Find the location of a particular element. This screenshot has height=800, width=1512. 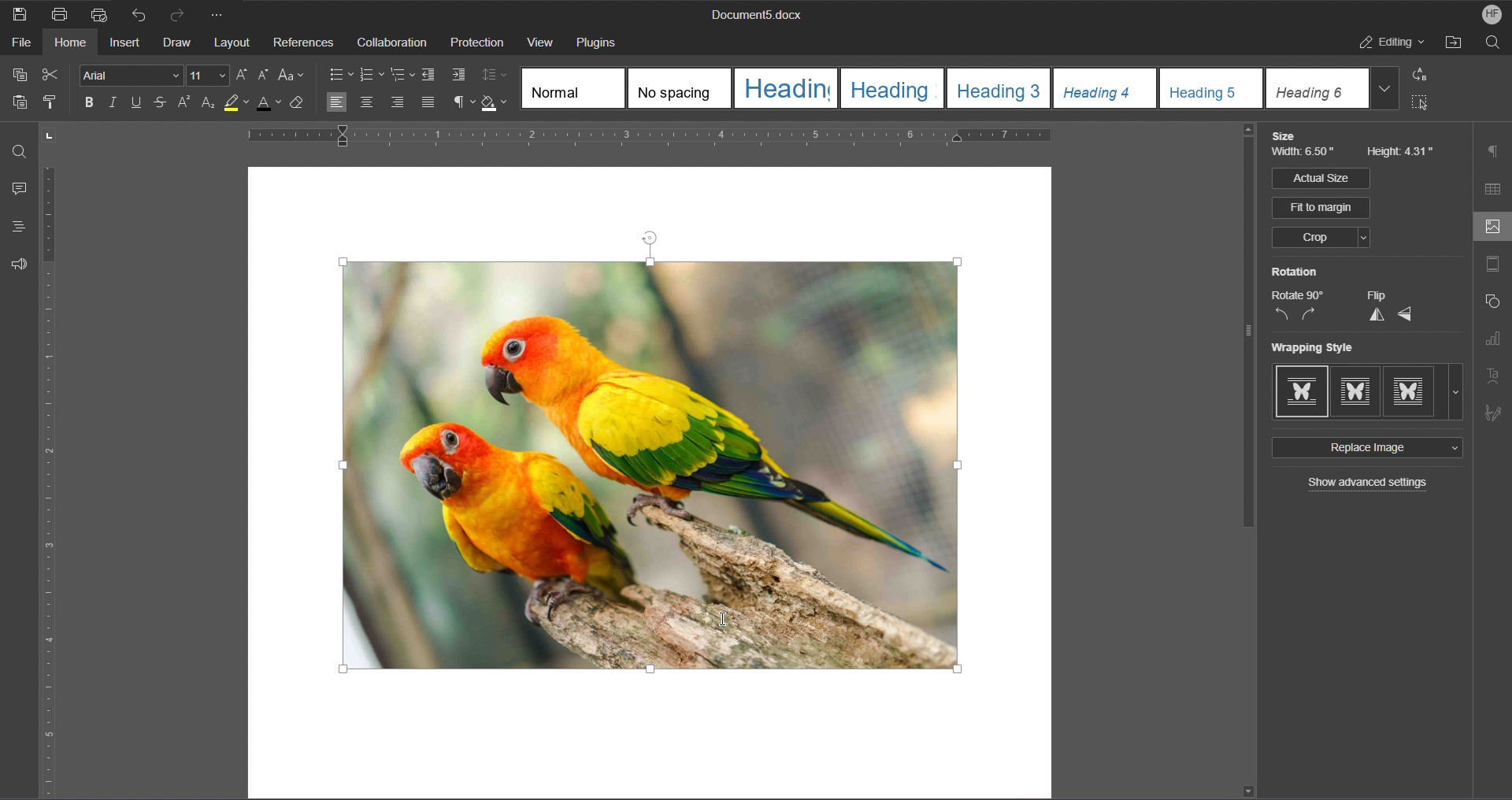

Lists is located at coordinates (372, 74).